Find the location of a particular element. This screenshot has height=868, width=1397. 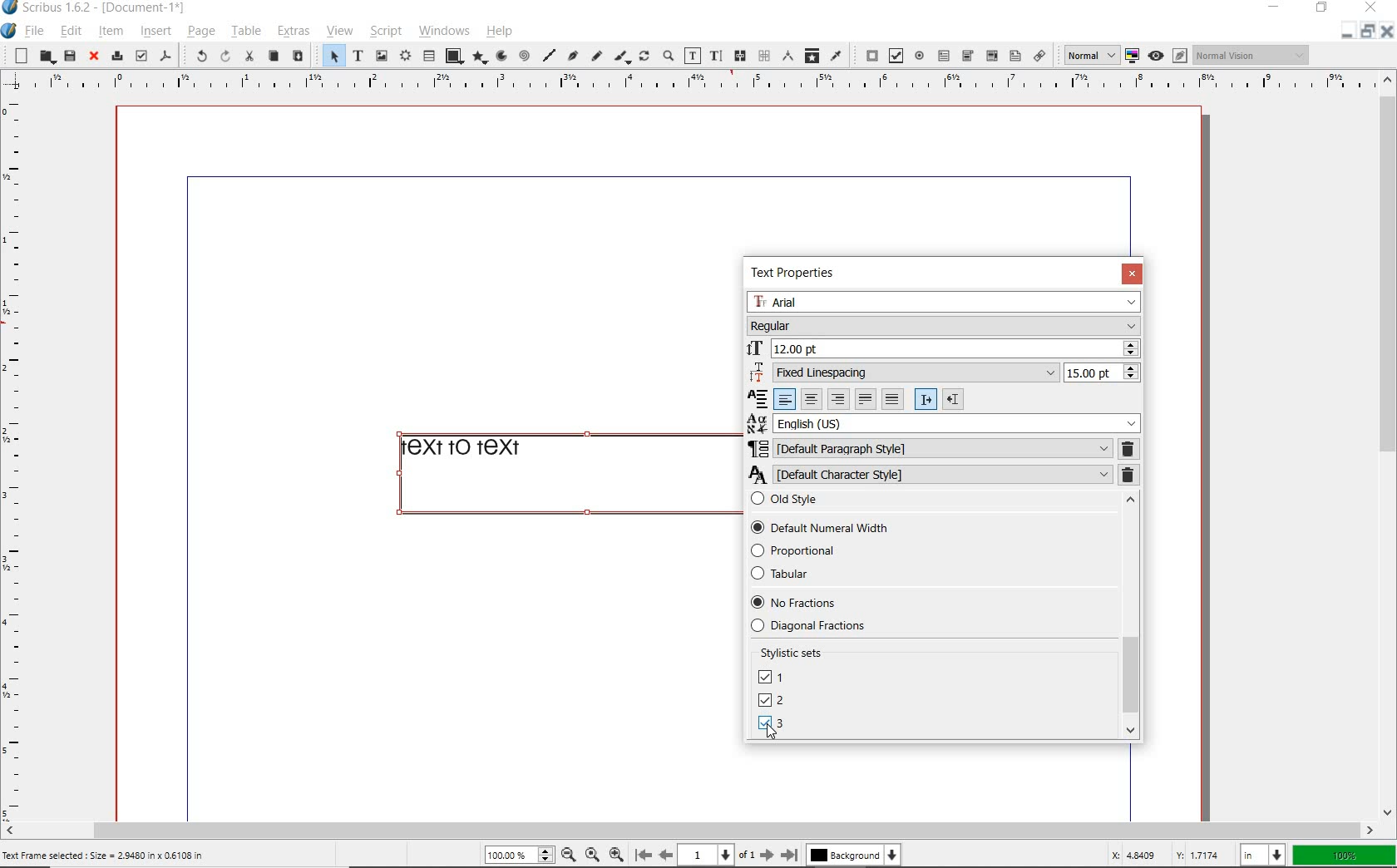

DEFAULT NUMBERS is located at coordinates (768, 699).